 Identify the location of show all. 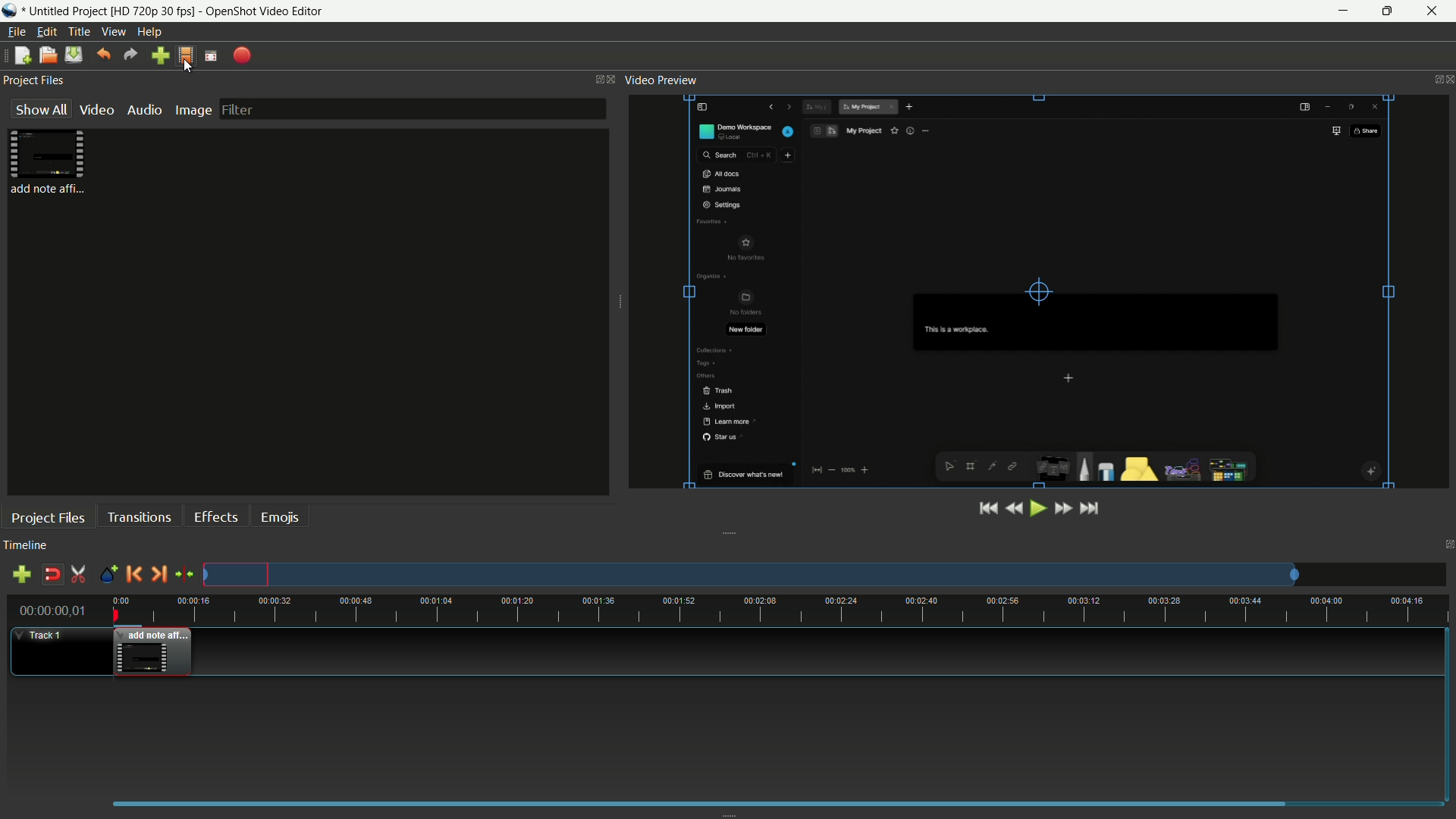
(38, 109).